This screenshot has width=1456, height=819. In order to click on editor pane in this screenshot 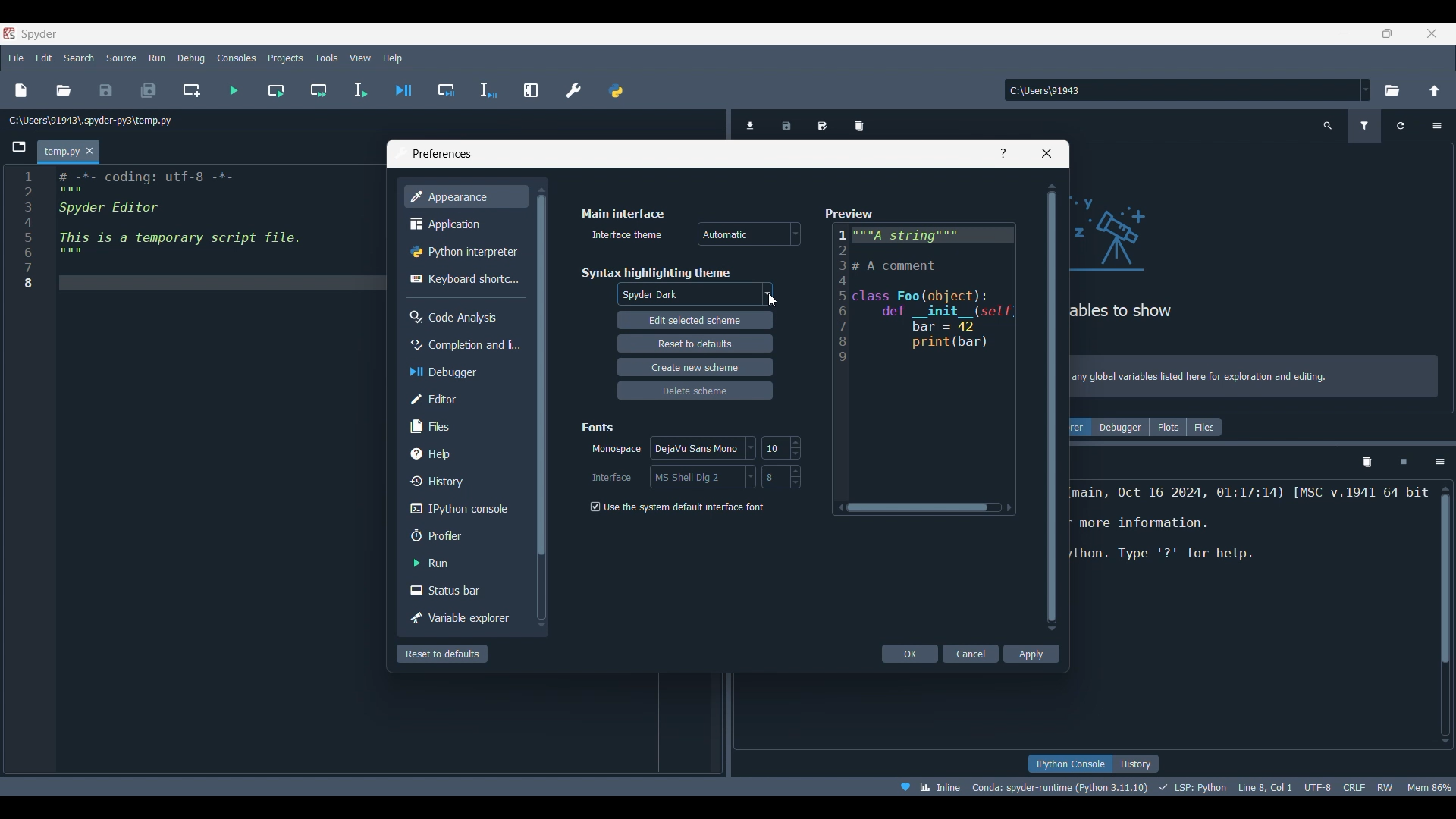, I will do `click(200, 232)`.